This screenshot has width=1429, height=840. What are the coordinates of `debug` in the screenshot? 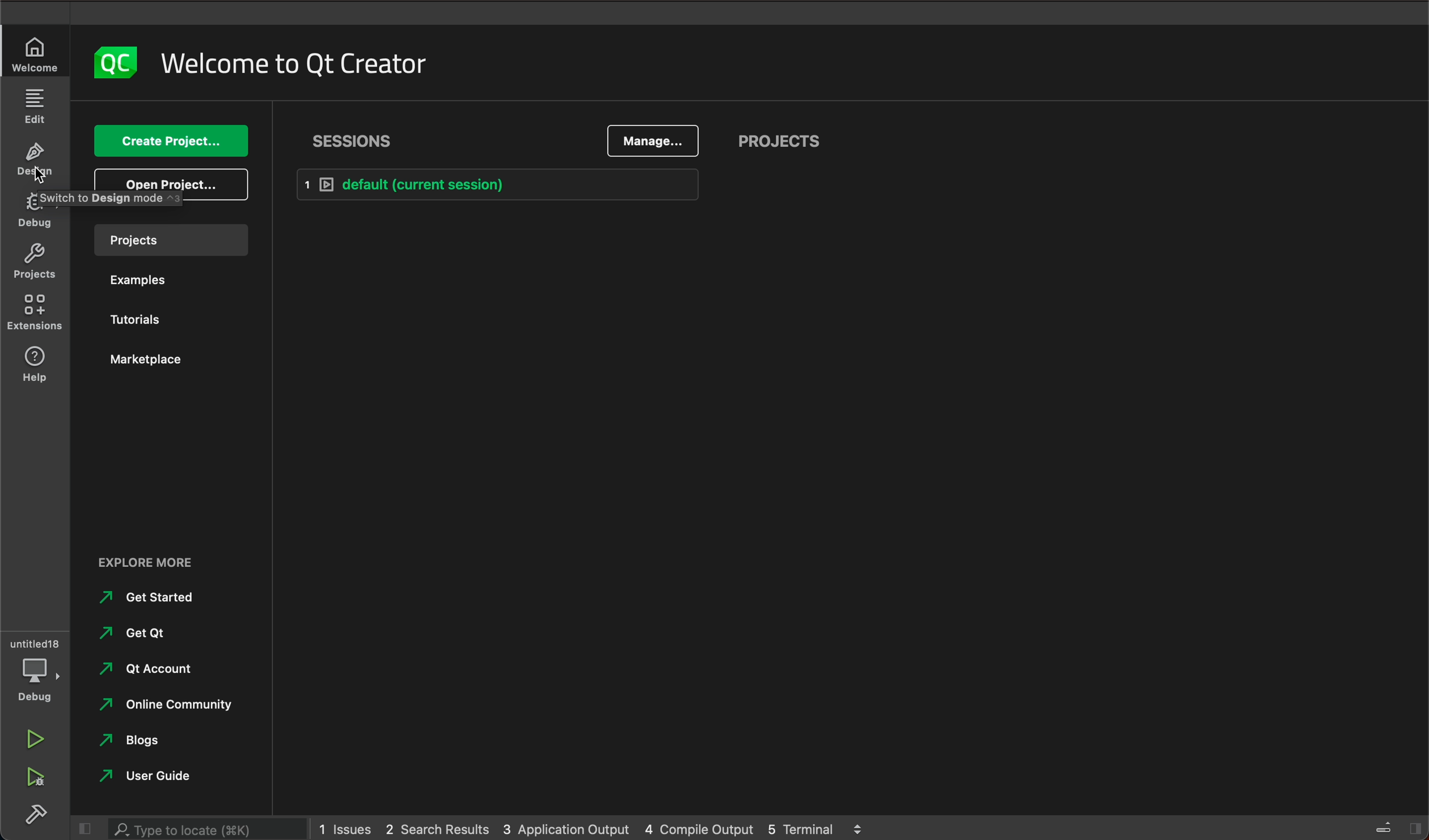 It's located at (36, 682).